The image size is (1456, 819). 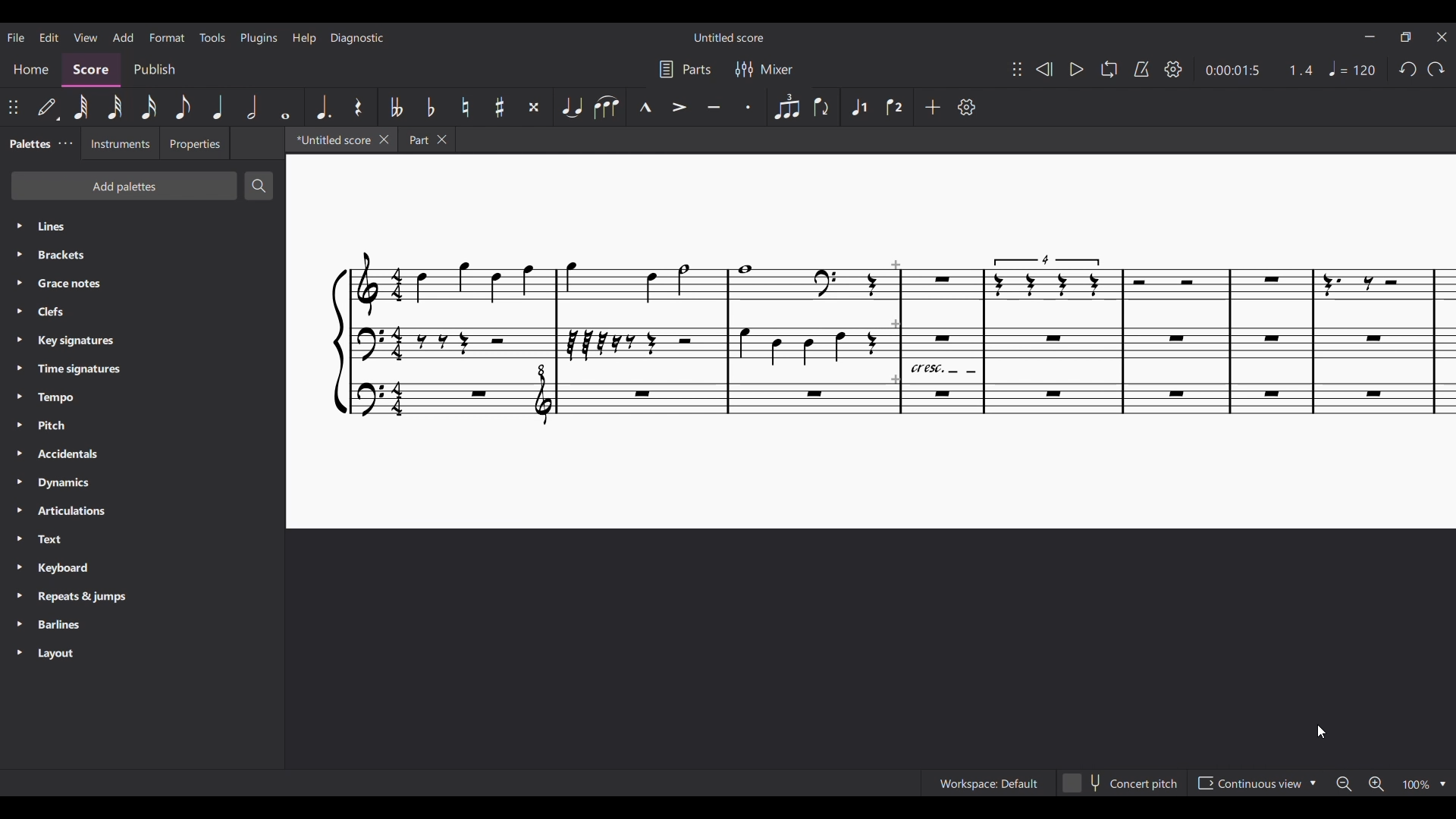 I want to click on Home section, so click(x=31, y=71).